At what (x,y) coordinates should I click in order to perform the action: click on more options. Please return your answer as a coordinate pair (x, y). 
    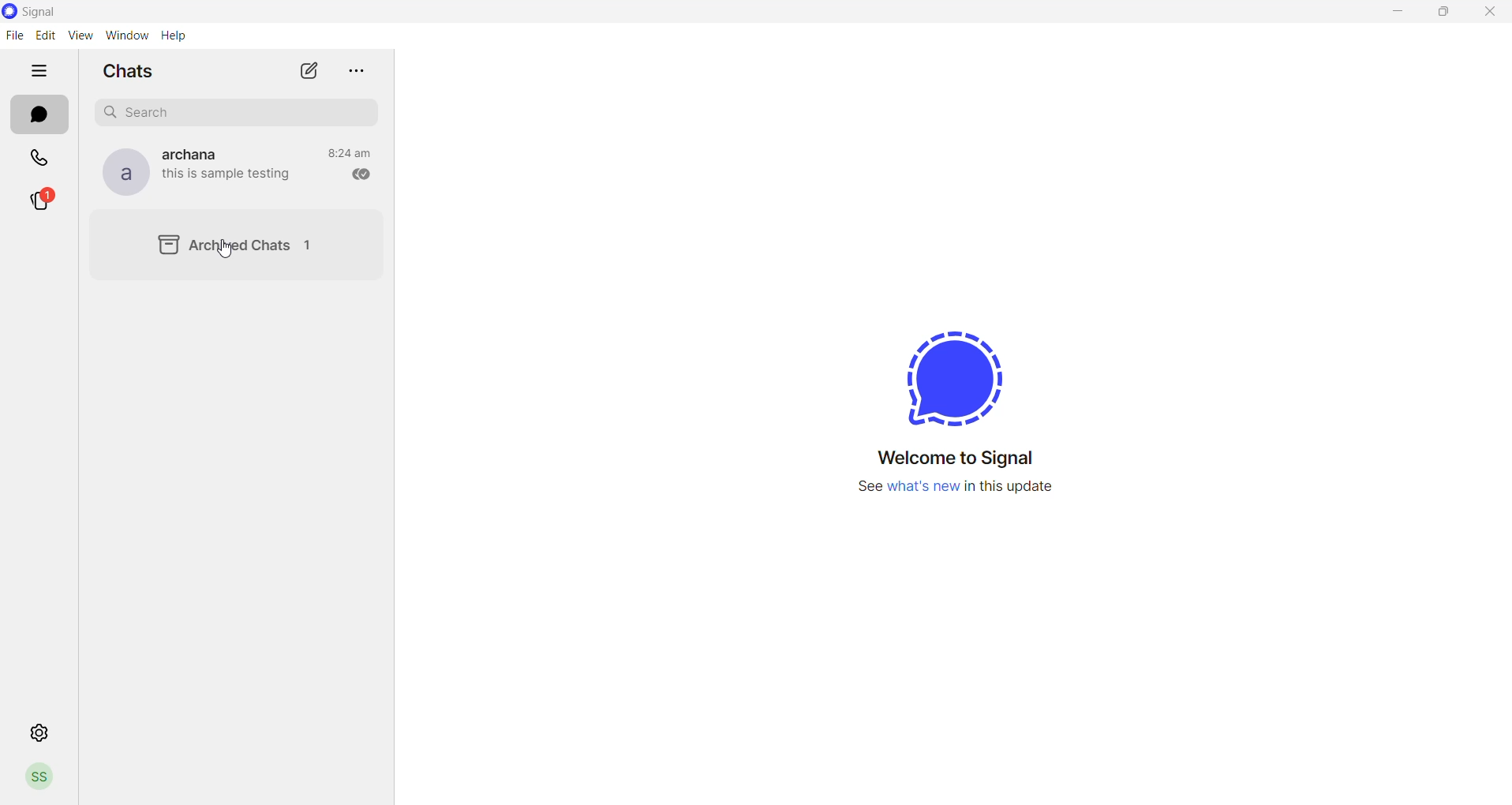
    Looking at the image, I should click on (361, 70).